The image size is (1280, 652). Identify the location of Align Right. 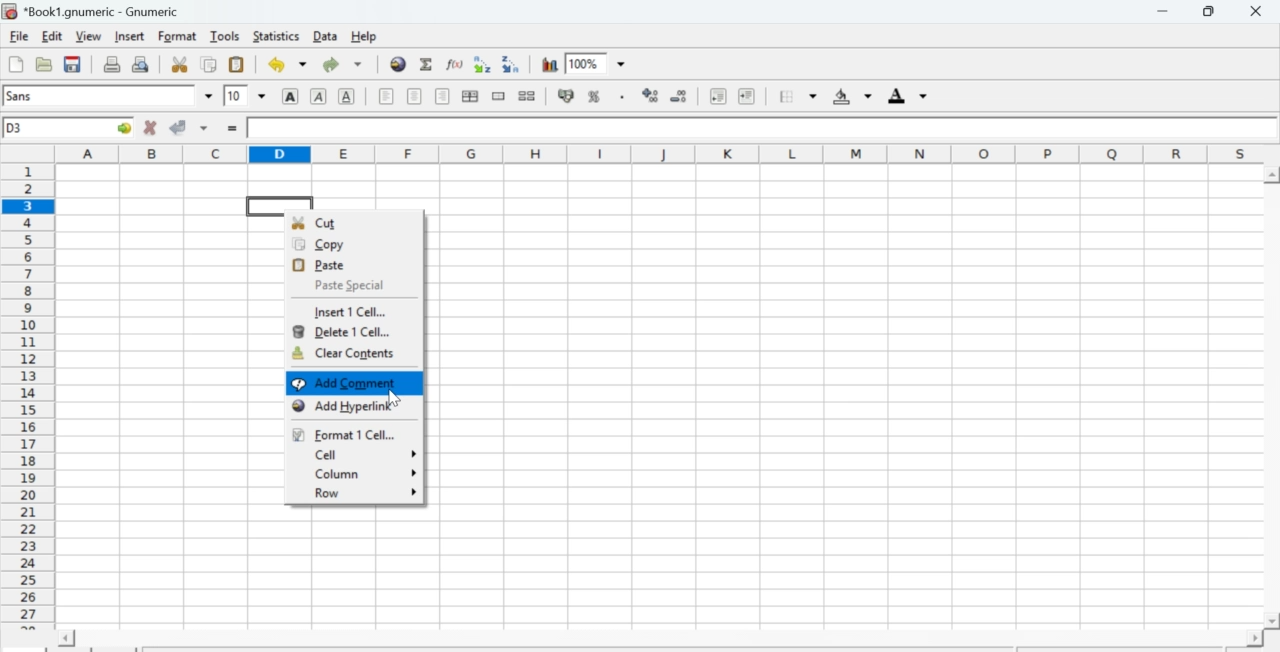
(443, 97).